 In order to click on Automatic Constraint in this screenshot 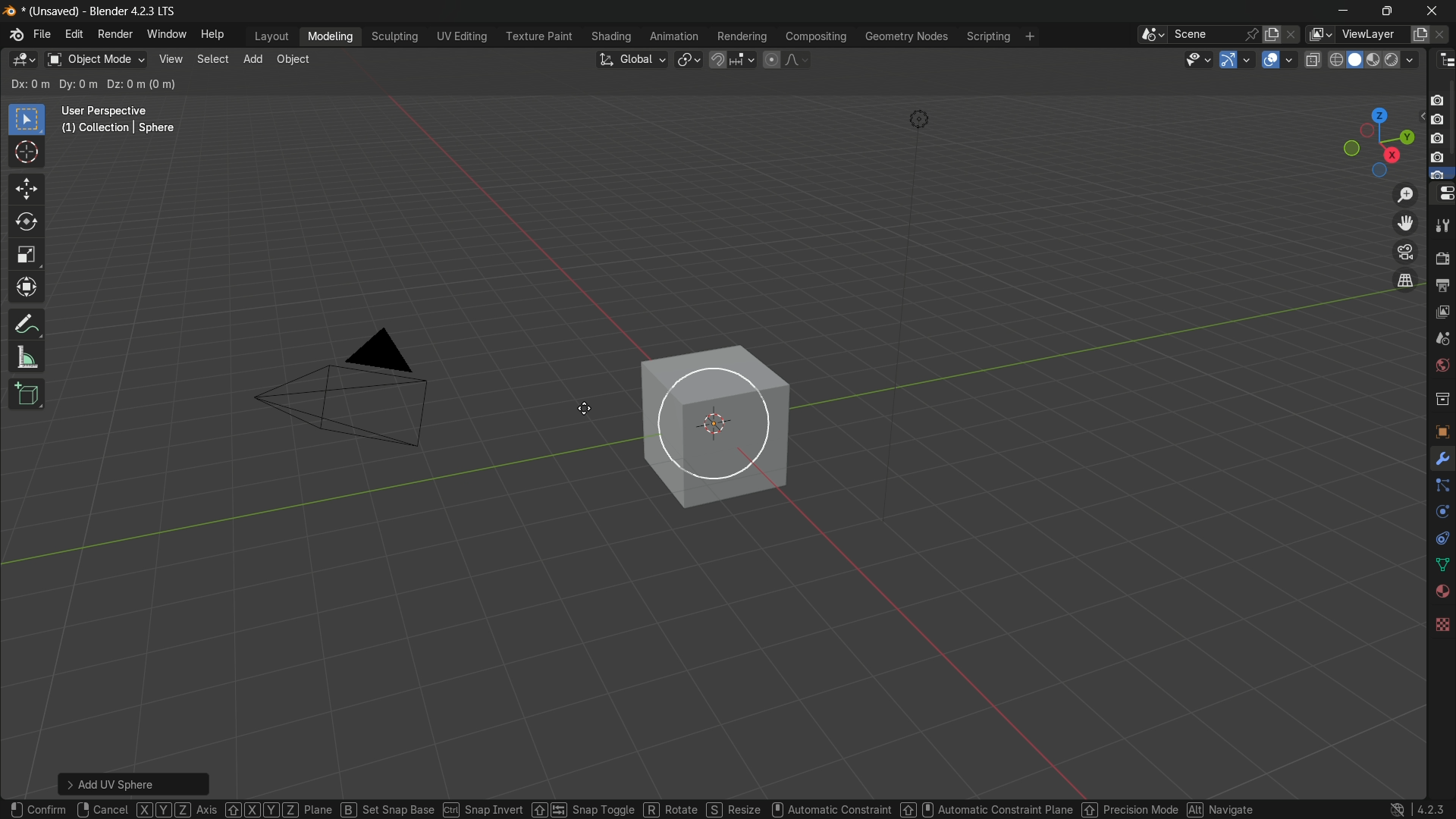, I will do `click(832, 810)`.